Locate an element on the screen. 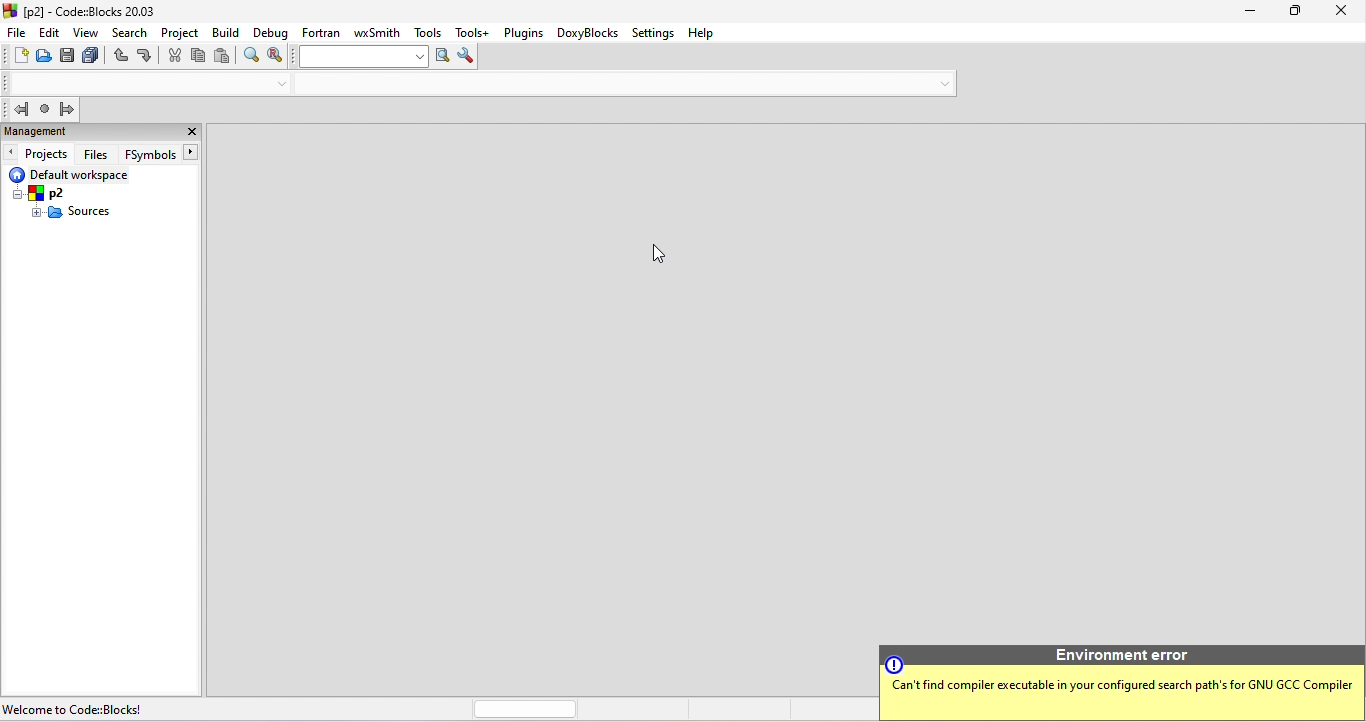  files is located at coordinates (100, 154).